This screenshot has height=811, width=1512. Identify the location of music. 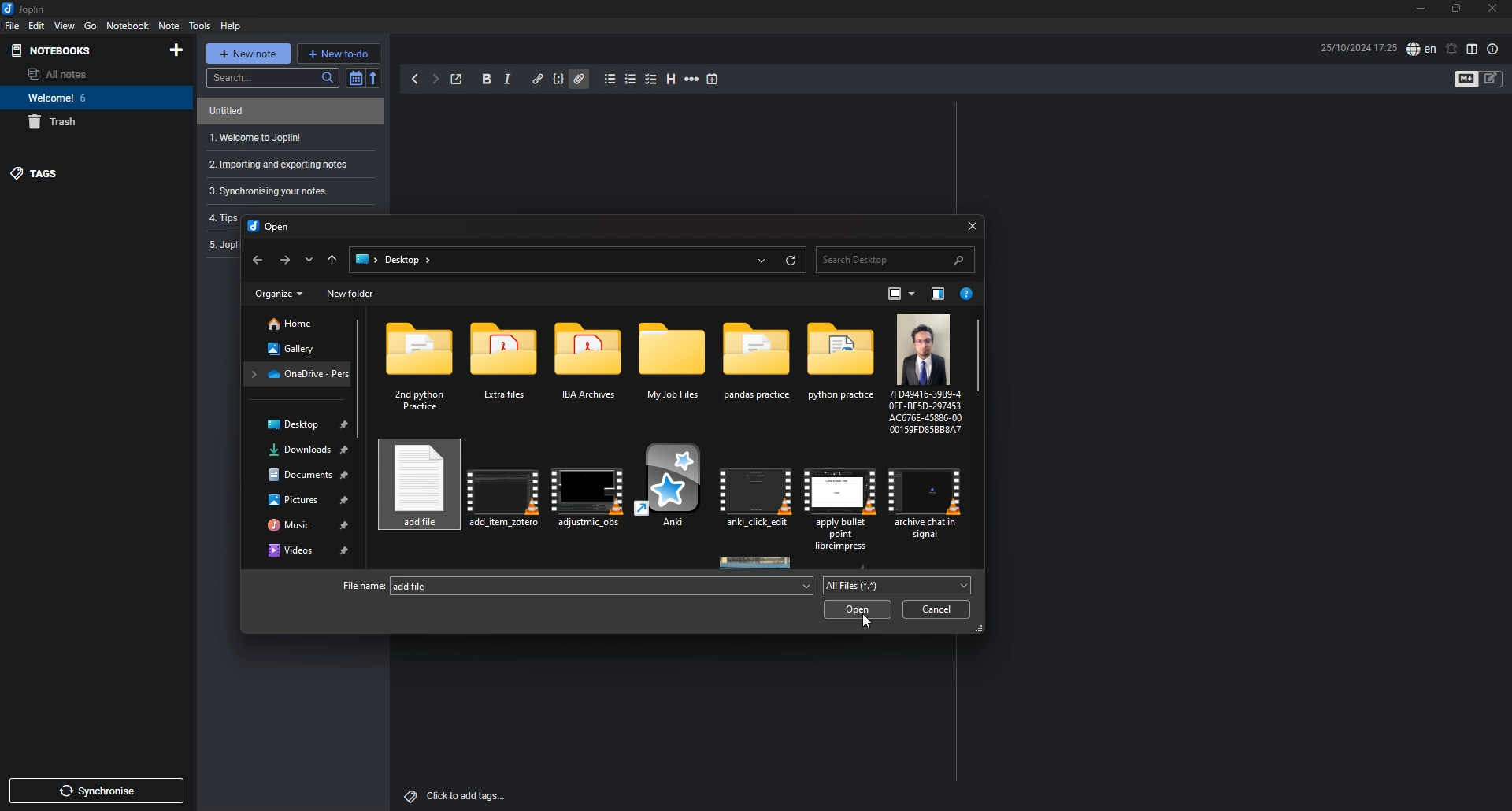
(305, 524).